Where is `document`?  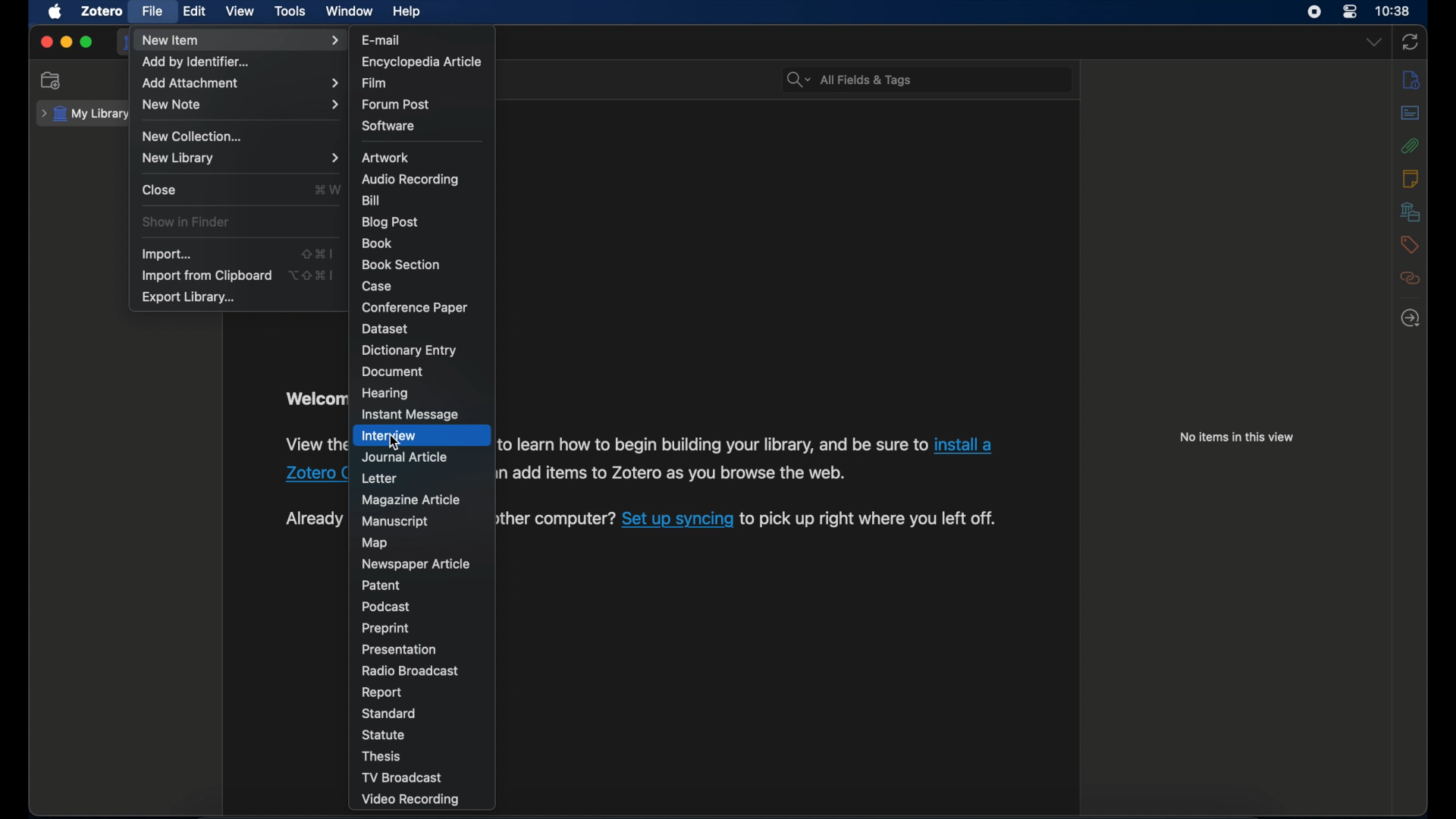 document is located at coordinates (391, 372).